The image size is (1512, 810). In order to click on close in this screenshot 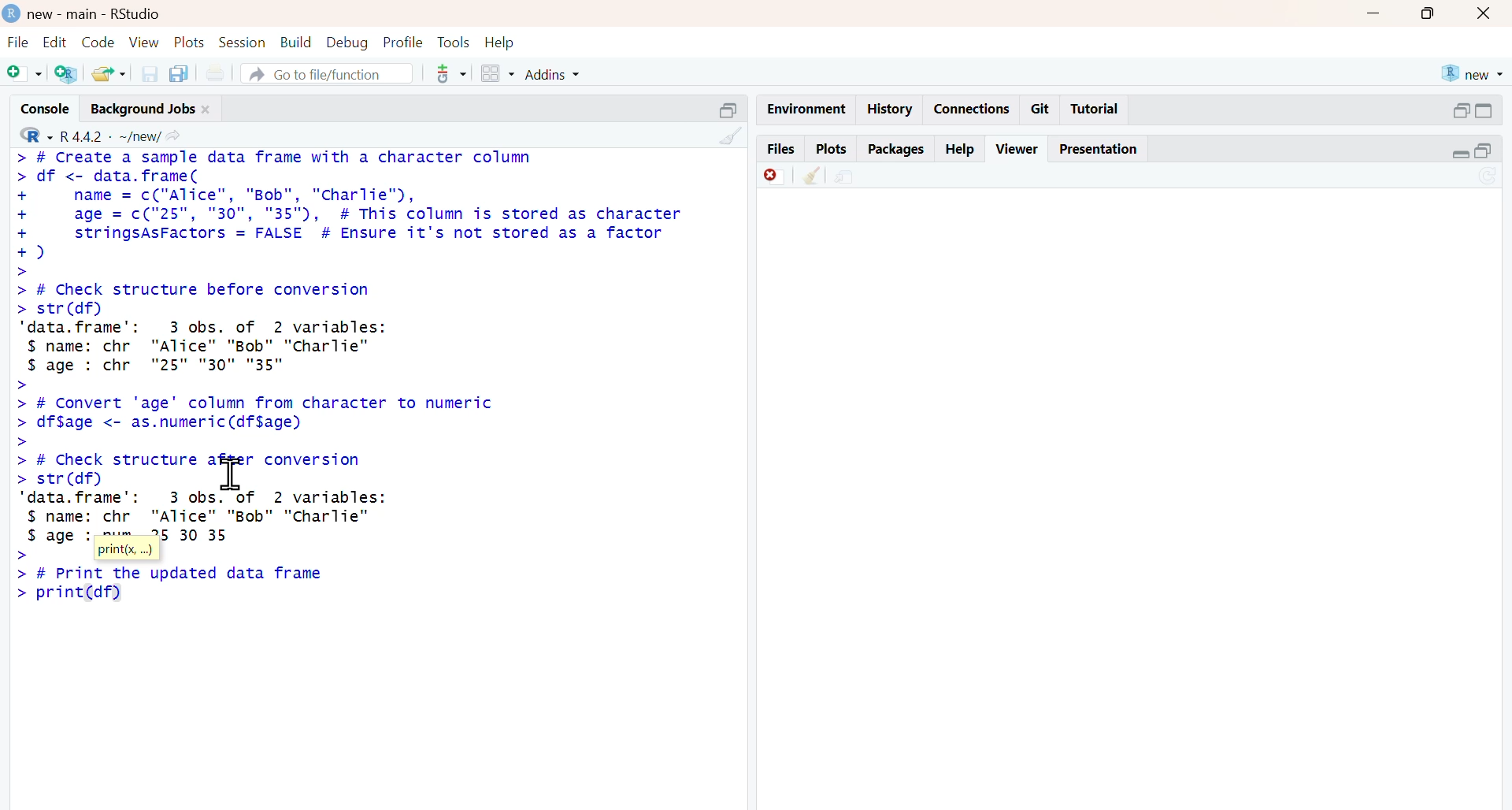, I will do `click(206, 110)`.